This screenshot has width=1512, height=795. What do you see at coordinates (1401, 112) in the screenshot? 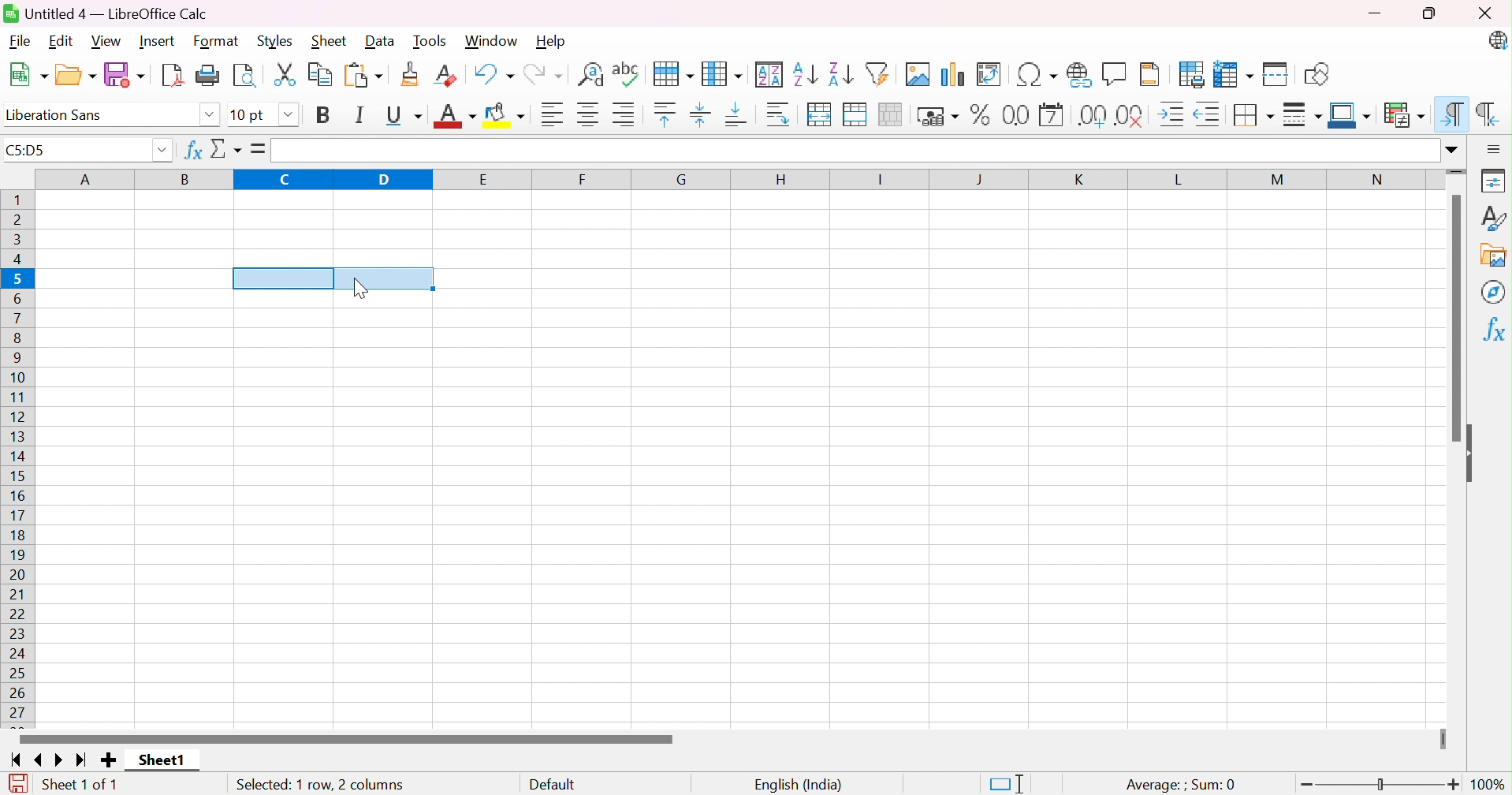
I see `Conditional` at bounding box center [1401, 112].